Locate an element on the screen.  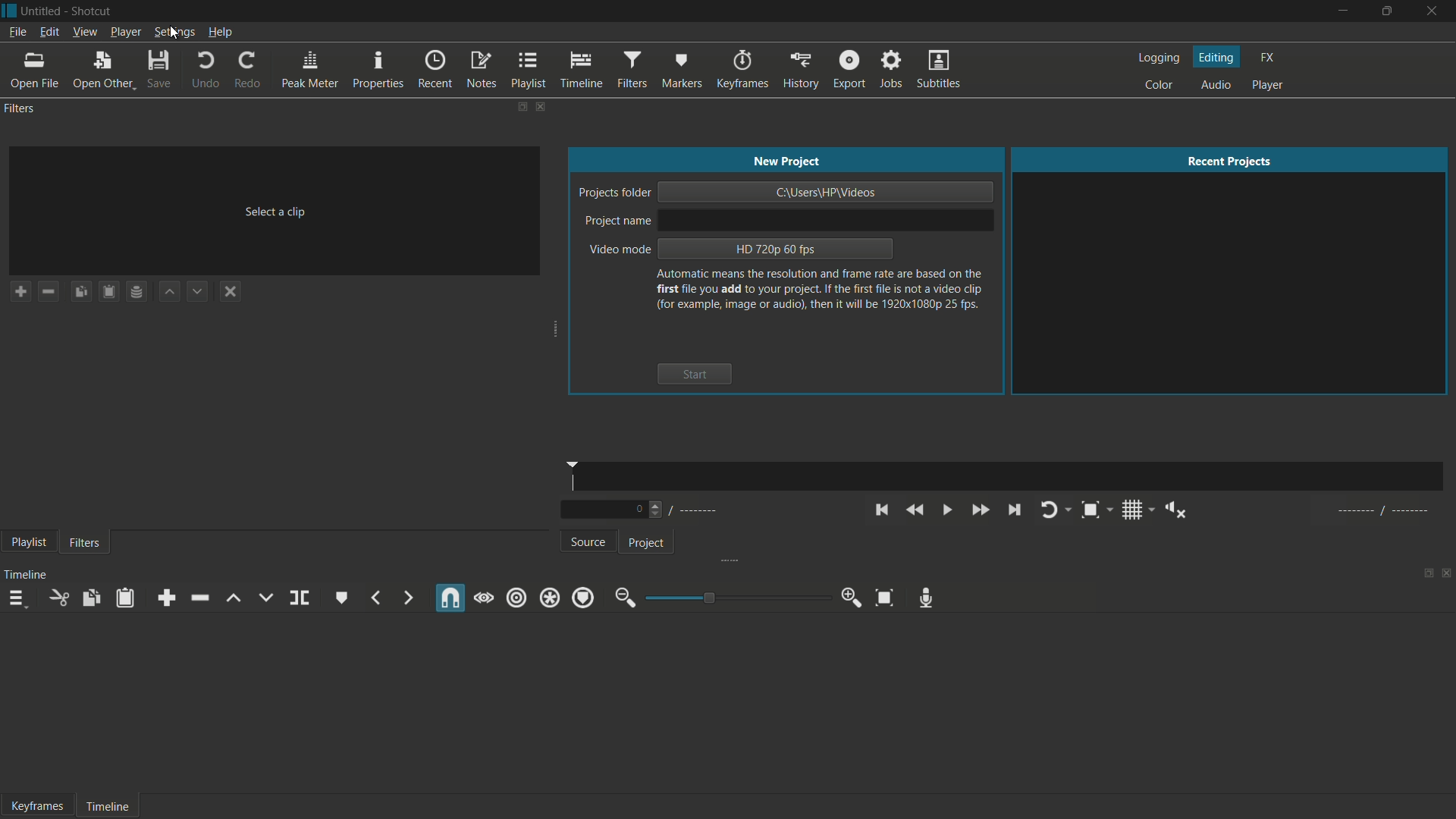
player is located at coordinates (1268, 85).